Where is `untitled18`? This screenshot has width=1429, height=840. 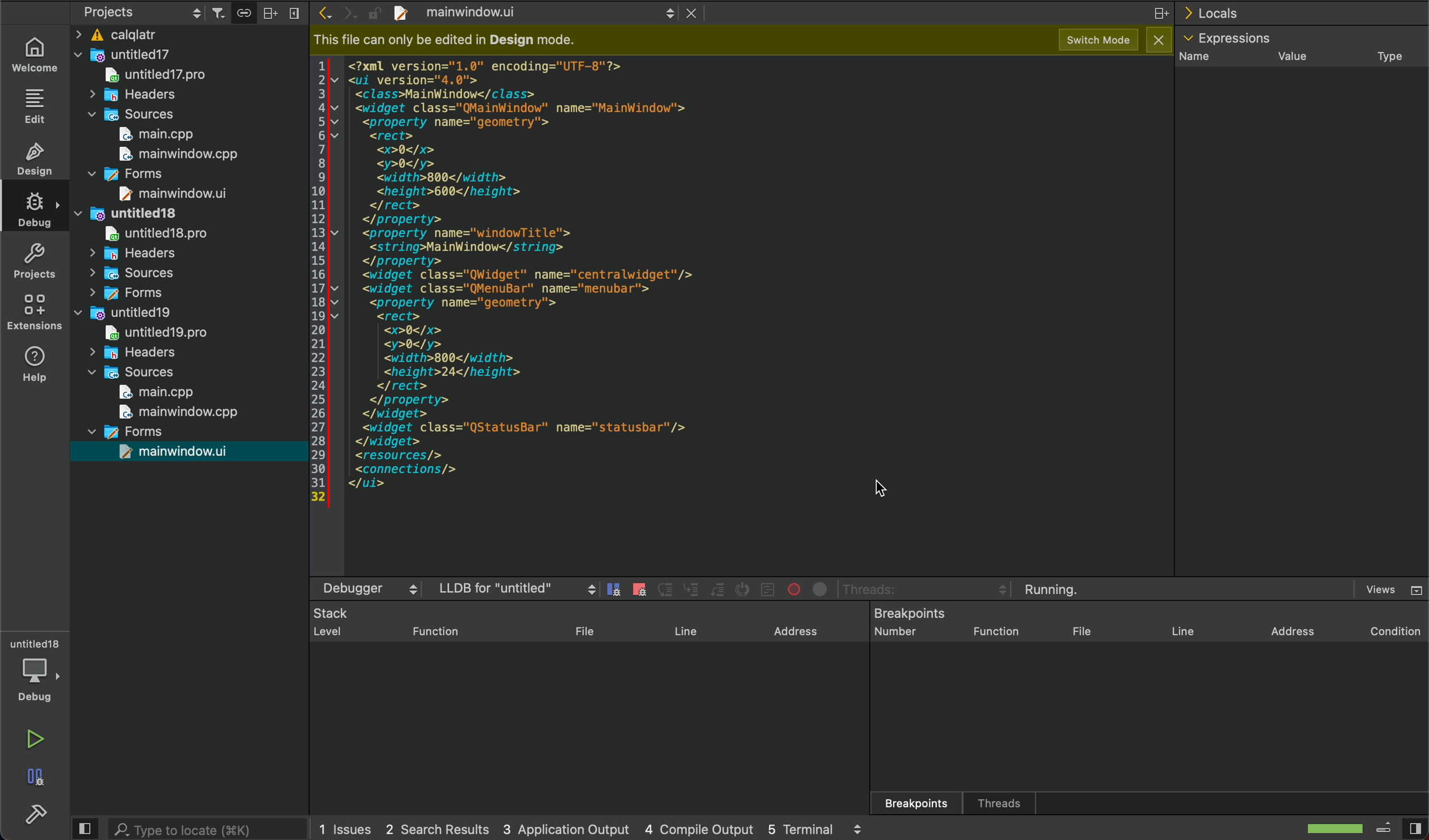
untitled18 is located at coordinates (138, 215).